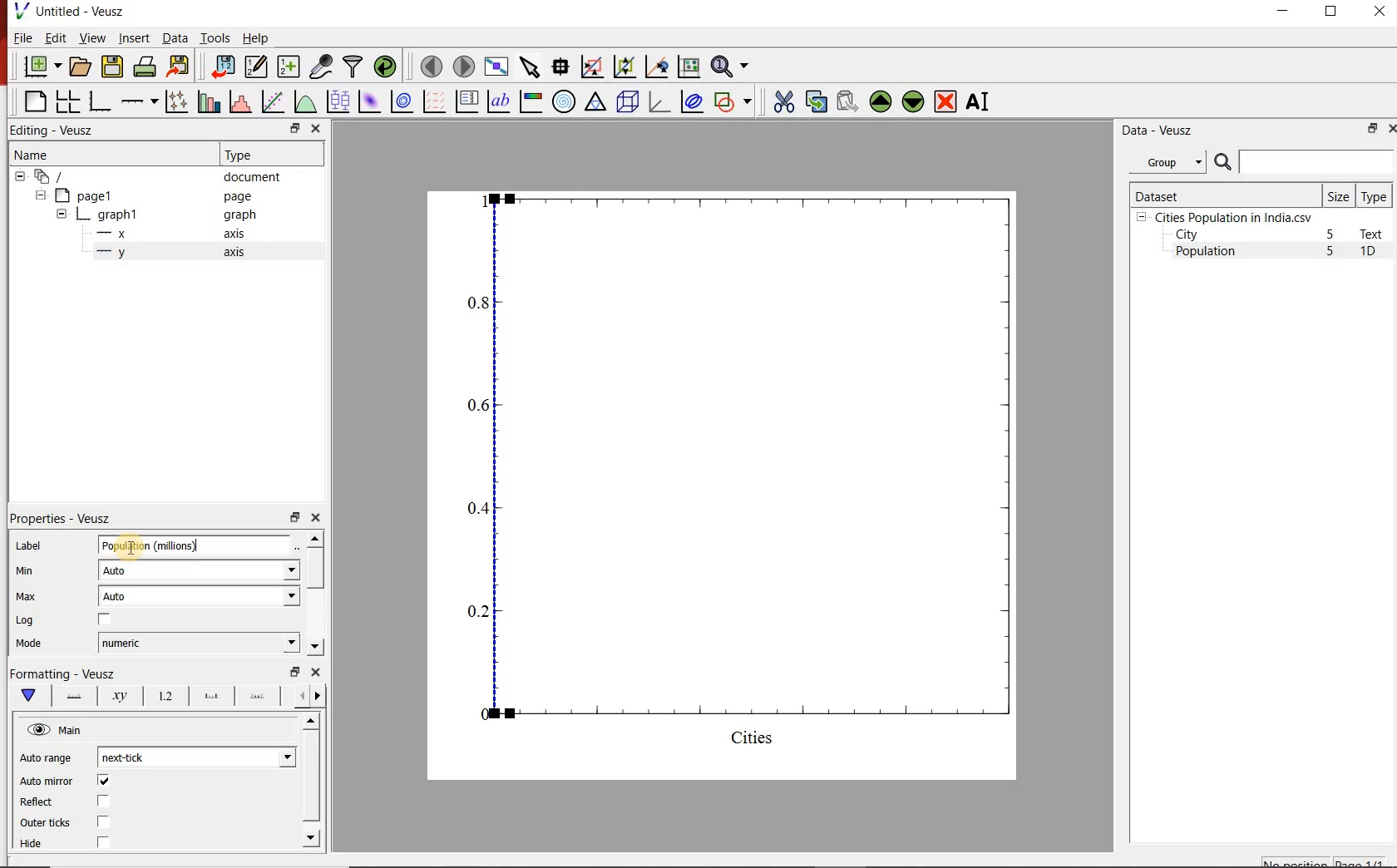  Describe the element at coordinates (27, 621) in the screenshot. I see `Log` at that location.